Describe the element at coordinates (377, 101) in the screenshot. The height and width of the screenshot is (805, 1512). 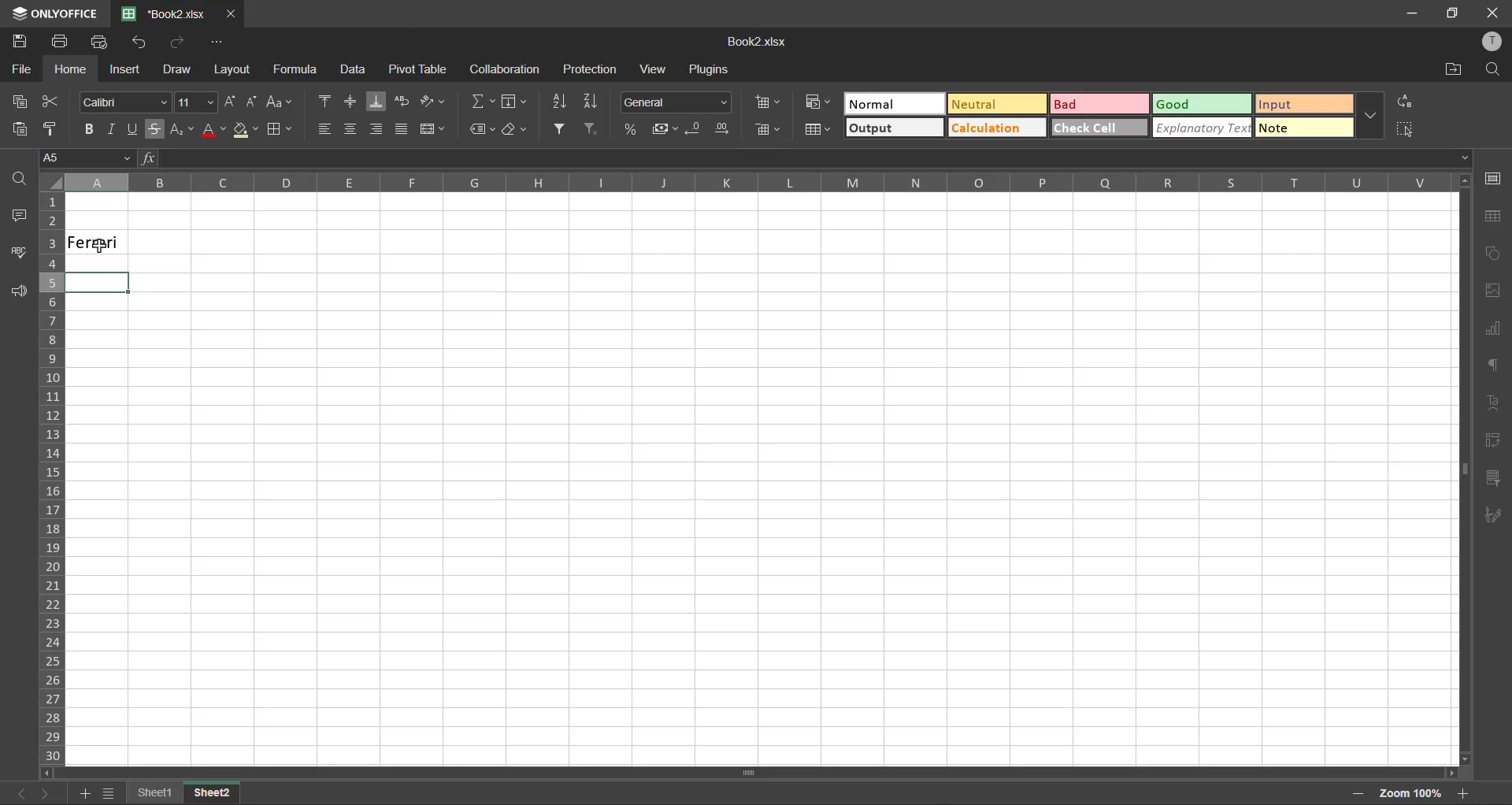
I see `align bottom` at that location.